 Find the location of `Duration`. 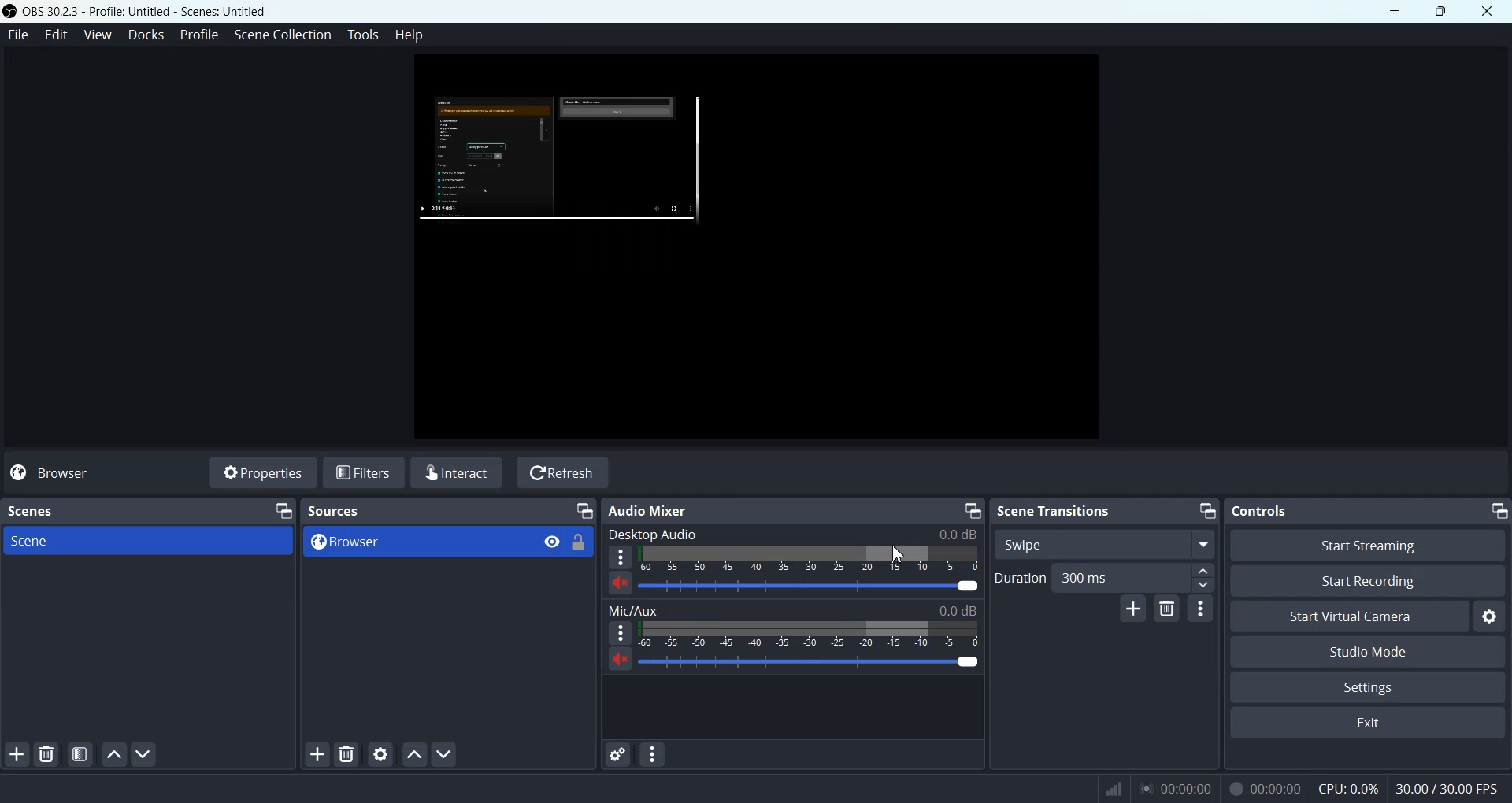

Duration is located at coordinates (1021, 578).